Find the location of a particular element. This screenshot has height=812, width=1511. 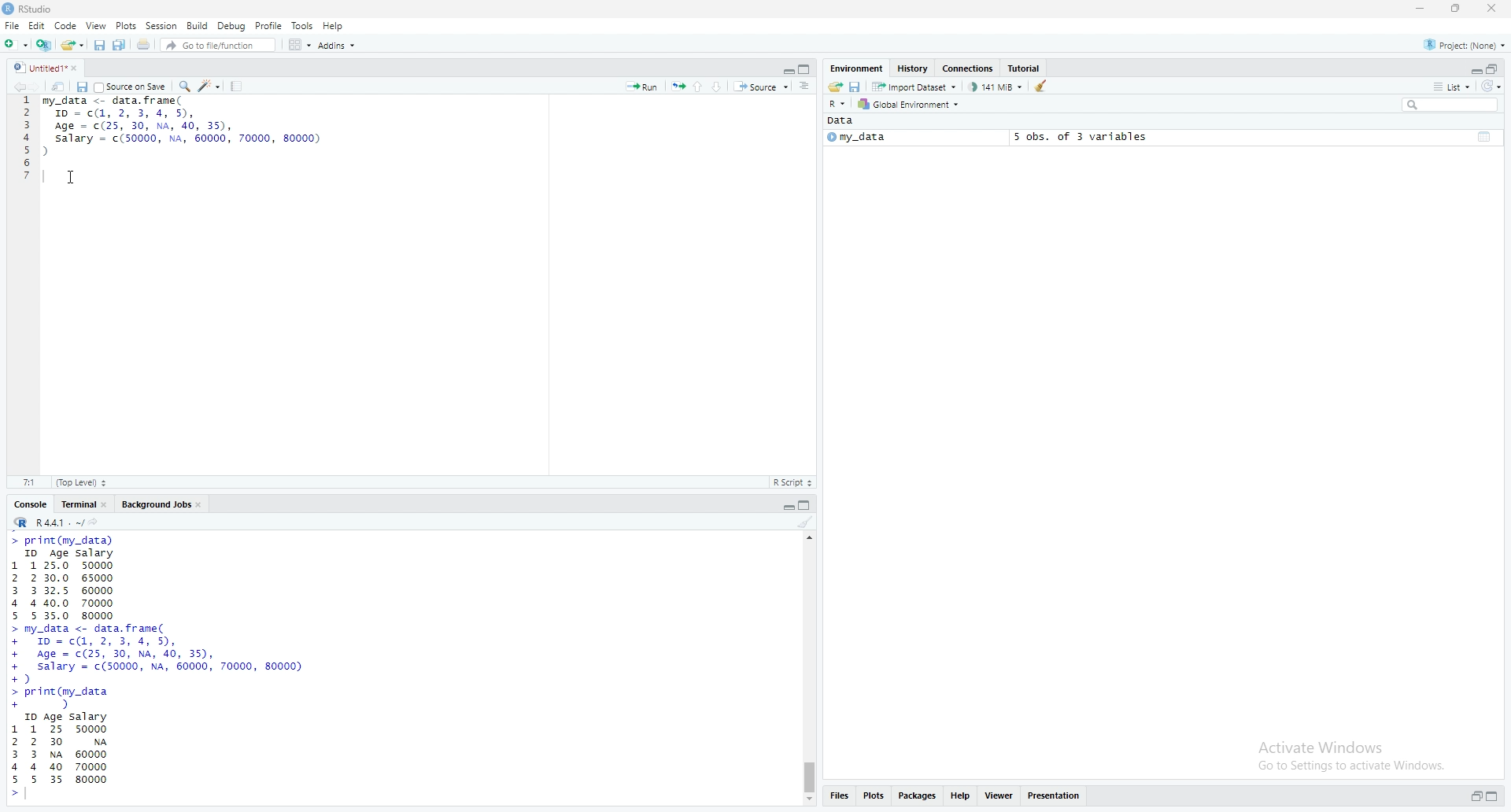

close is located at coordinates (1494, 8).